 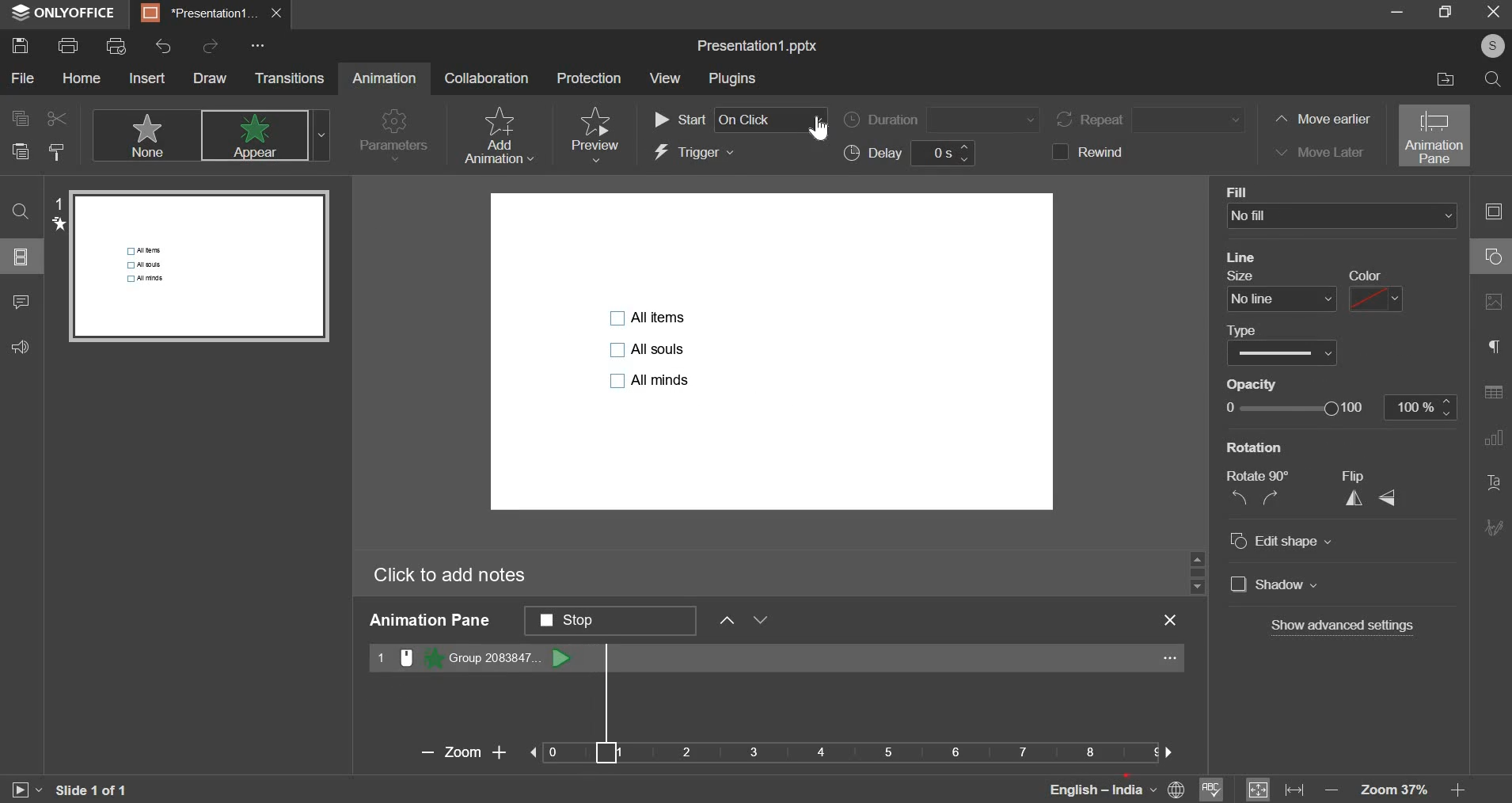 I want to click on zoom, so click(x=785, y=752).